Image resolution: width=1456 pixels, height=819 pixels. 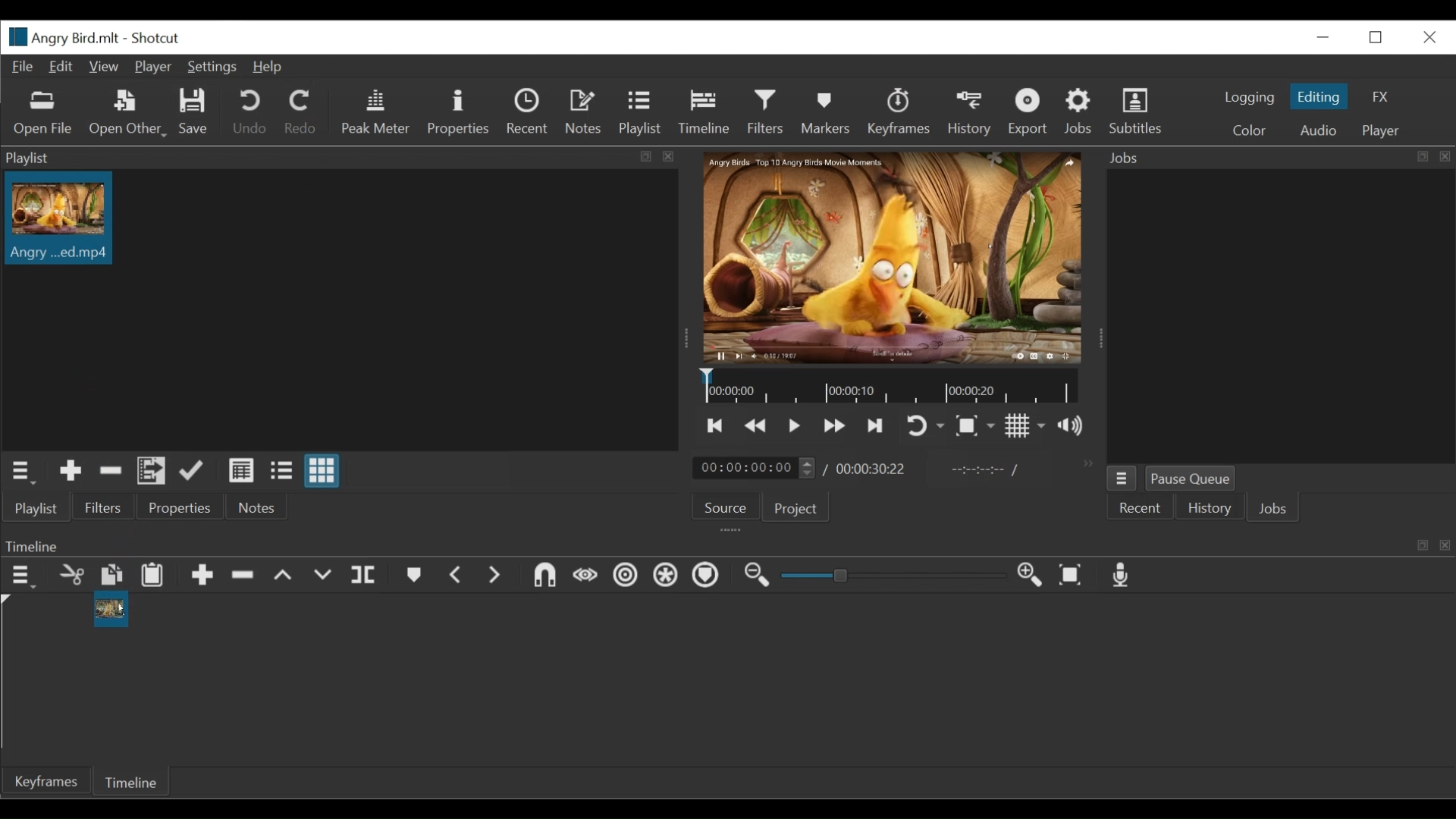 I want to click on Subtitles, so click(x=1138, y=109).